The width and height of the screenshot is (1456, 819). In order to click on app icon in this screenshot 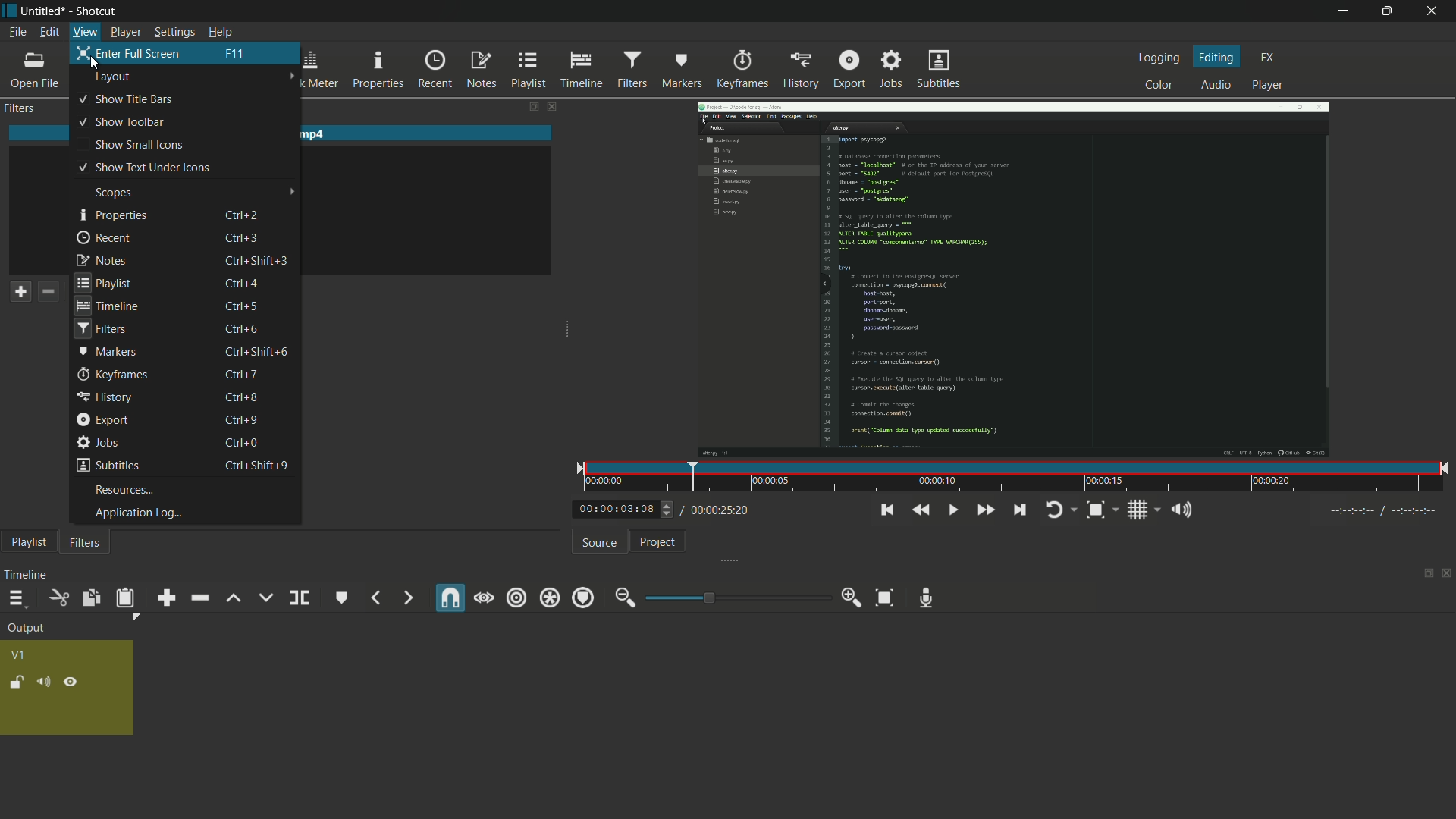, I will do `click(9, 9)`.